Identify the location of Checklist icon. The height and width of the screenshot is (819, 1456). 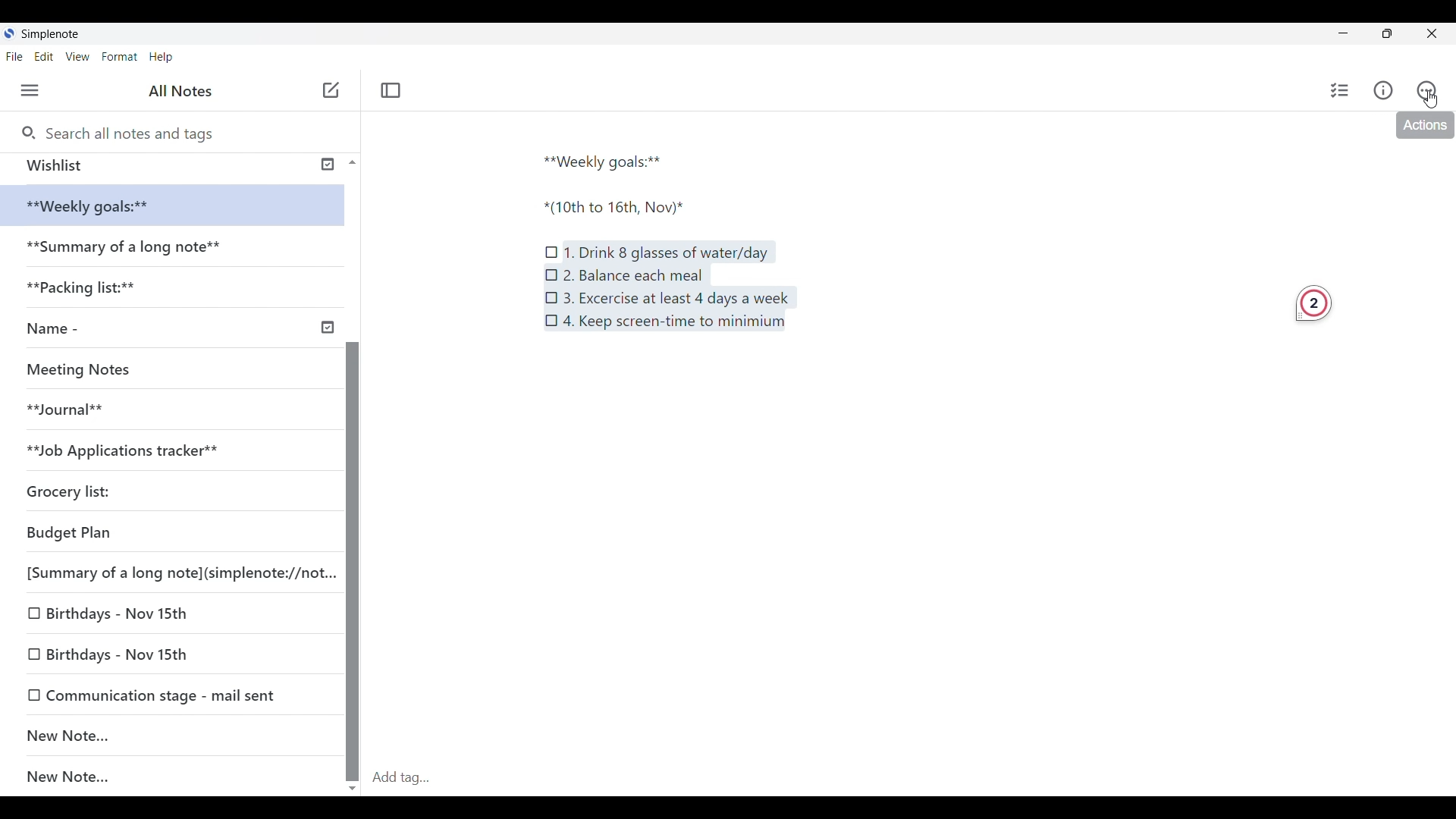
(551, 273).